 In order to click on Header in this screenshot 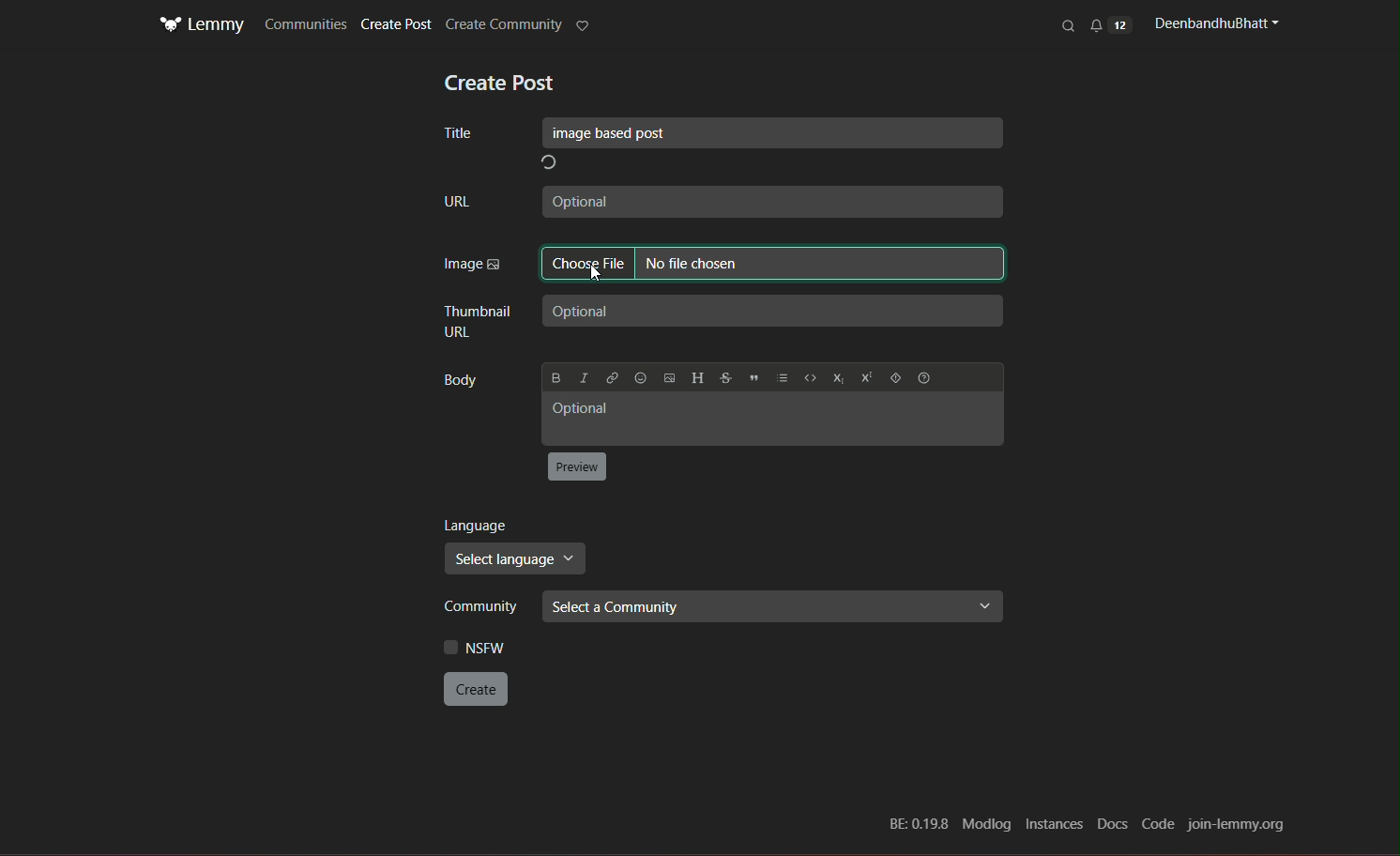, I will do `click(694, 374)`.